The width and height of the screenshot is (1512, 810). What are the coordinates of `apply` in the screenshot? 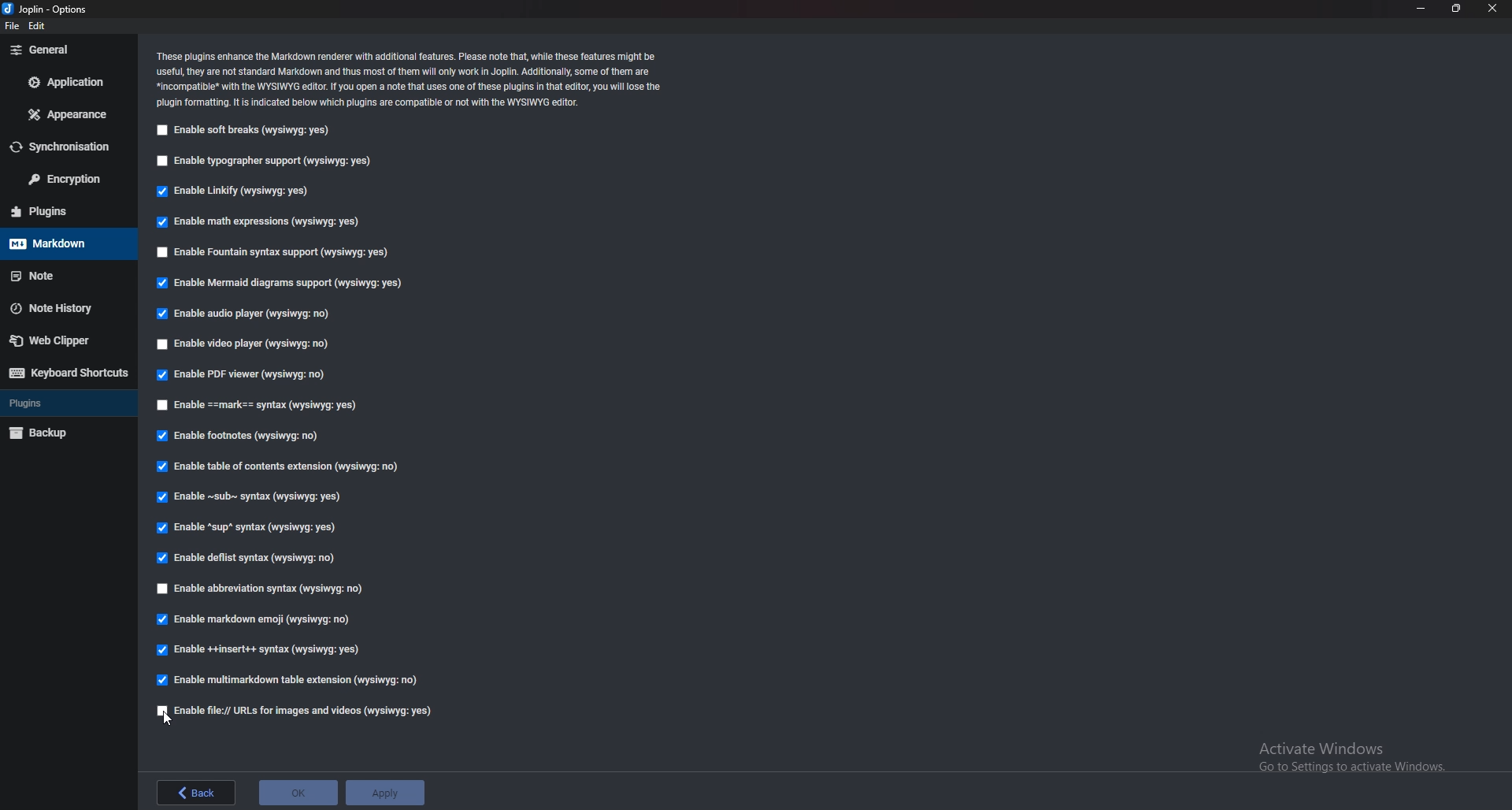 It's located at (385, 793).